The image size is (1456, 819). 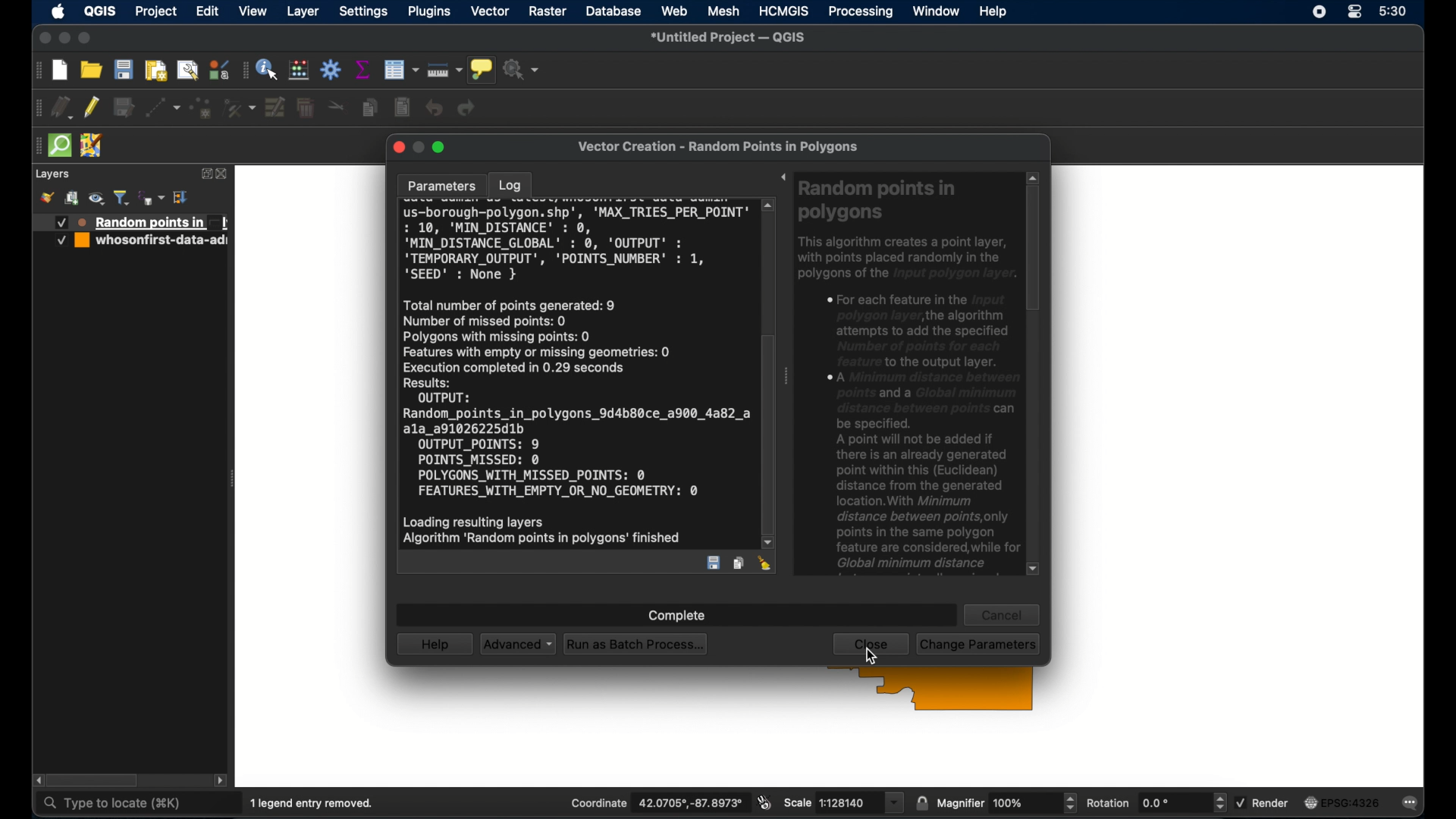 What do you see at coordinates (547, 11) in the screenshot?
I see `raster` at bounding box center [547, 11].